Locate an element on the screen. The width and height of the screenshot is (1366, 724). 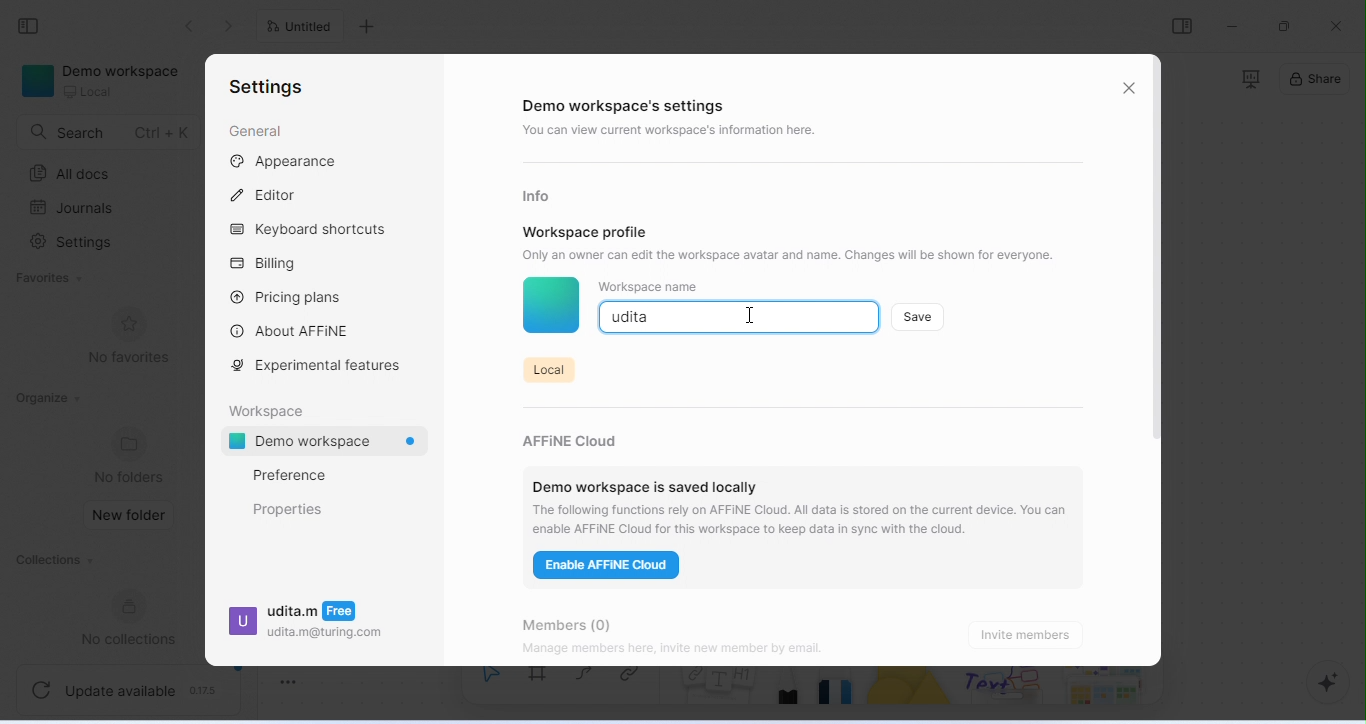
billing is located at coordinates (269, 264).